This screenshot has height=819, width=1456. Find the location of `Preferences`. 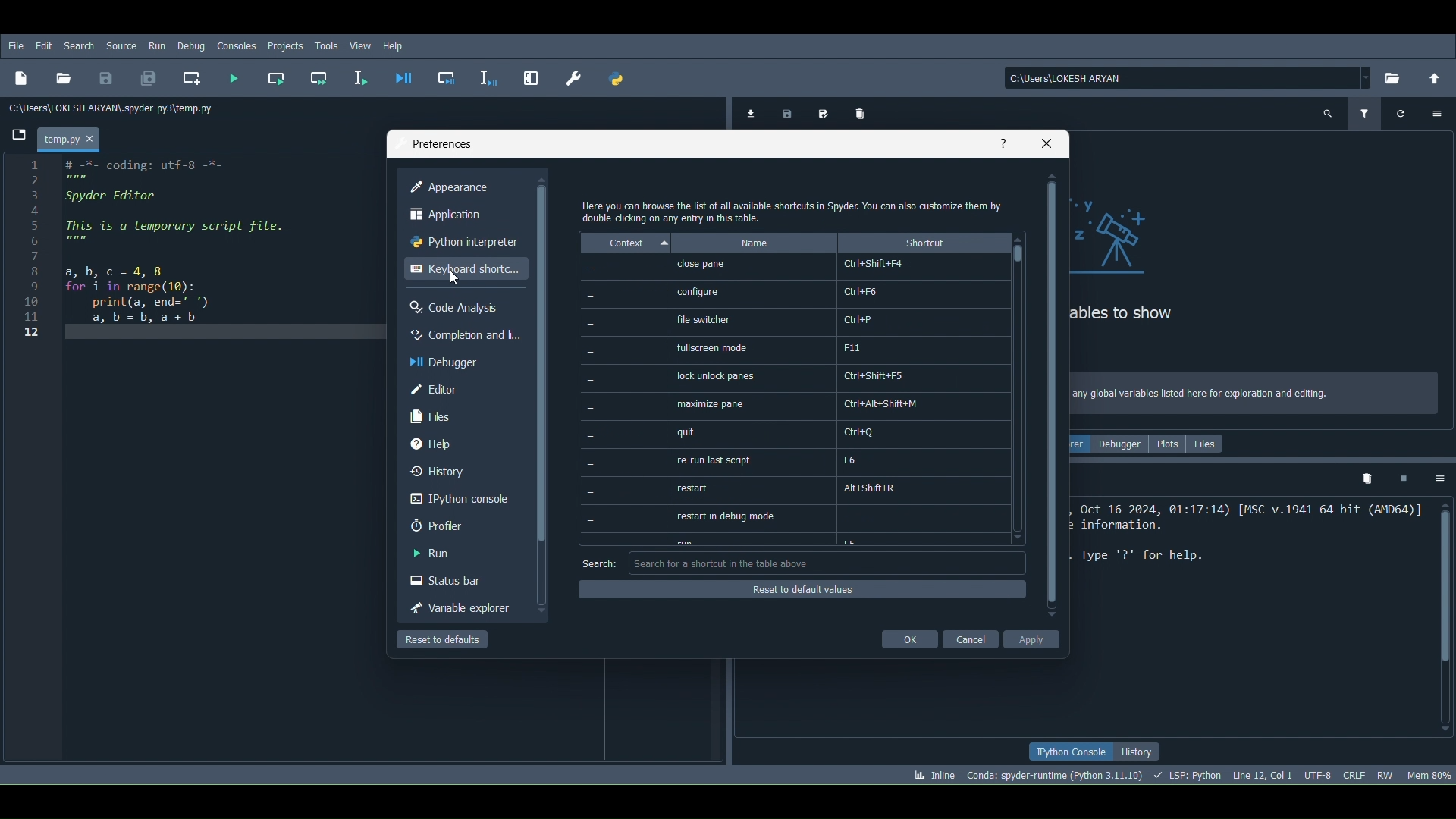

Preferences is located at coordinates (438, 141).